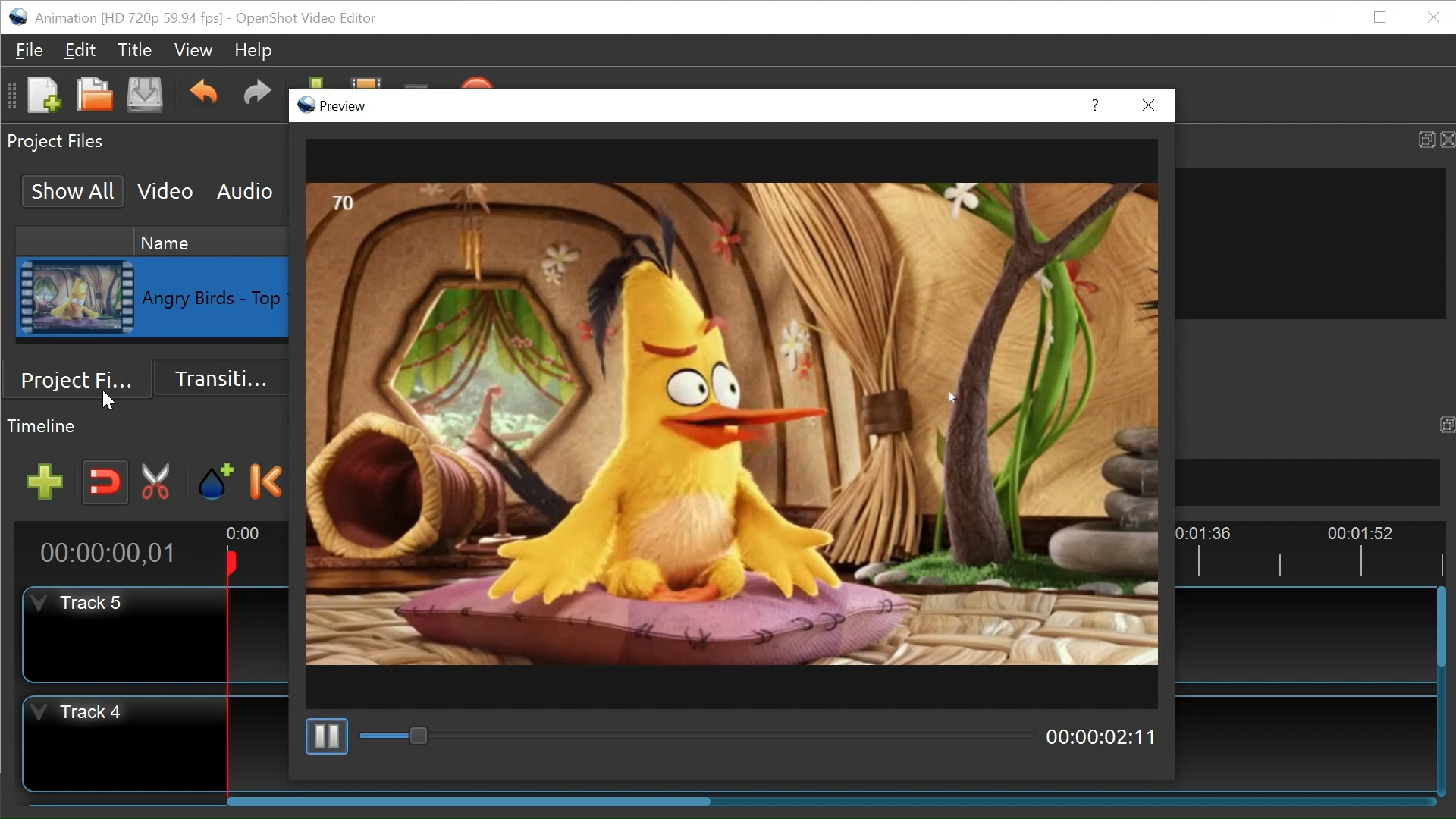  I want to click on Video, so click(165, 190).